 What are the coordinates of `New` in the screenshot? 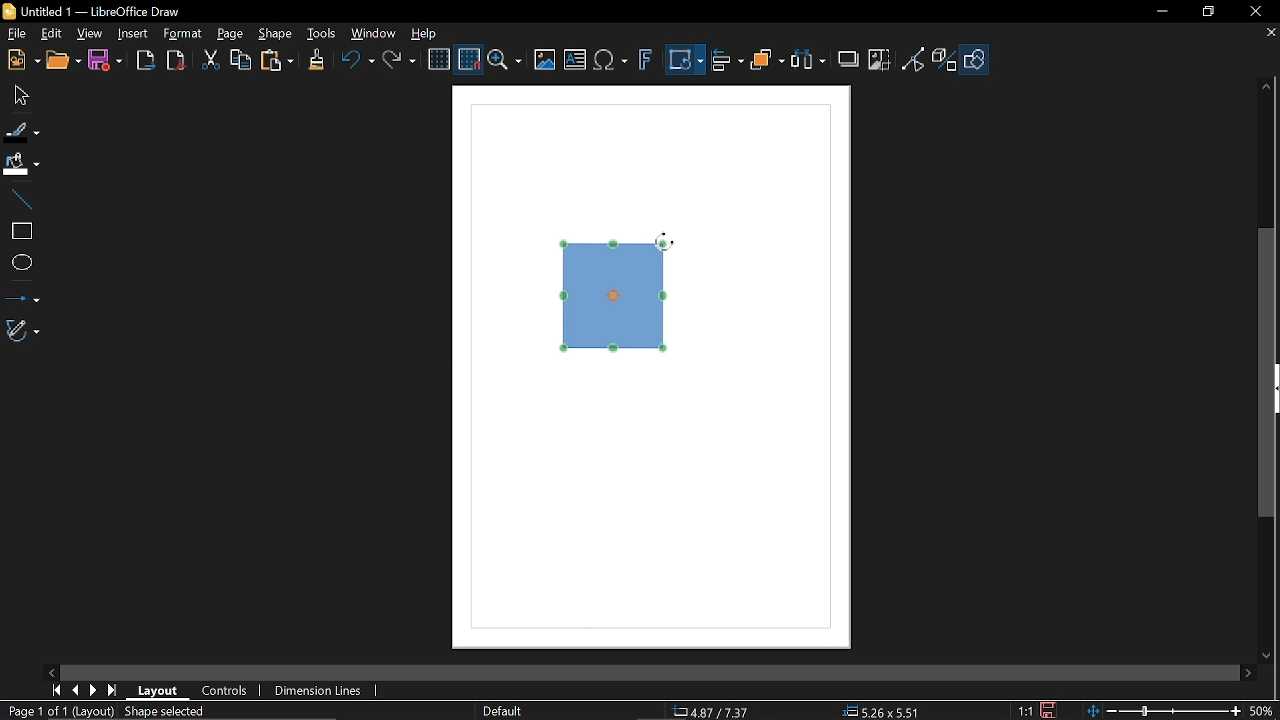 It's located at (22, 59).